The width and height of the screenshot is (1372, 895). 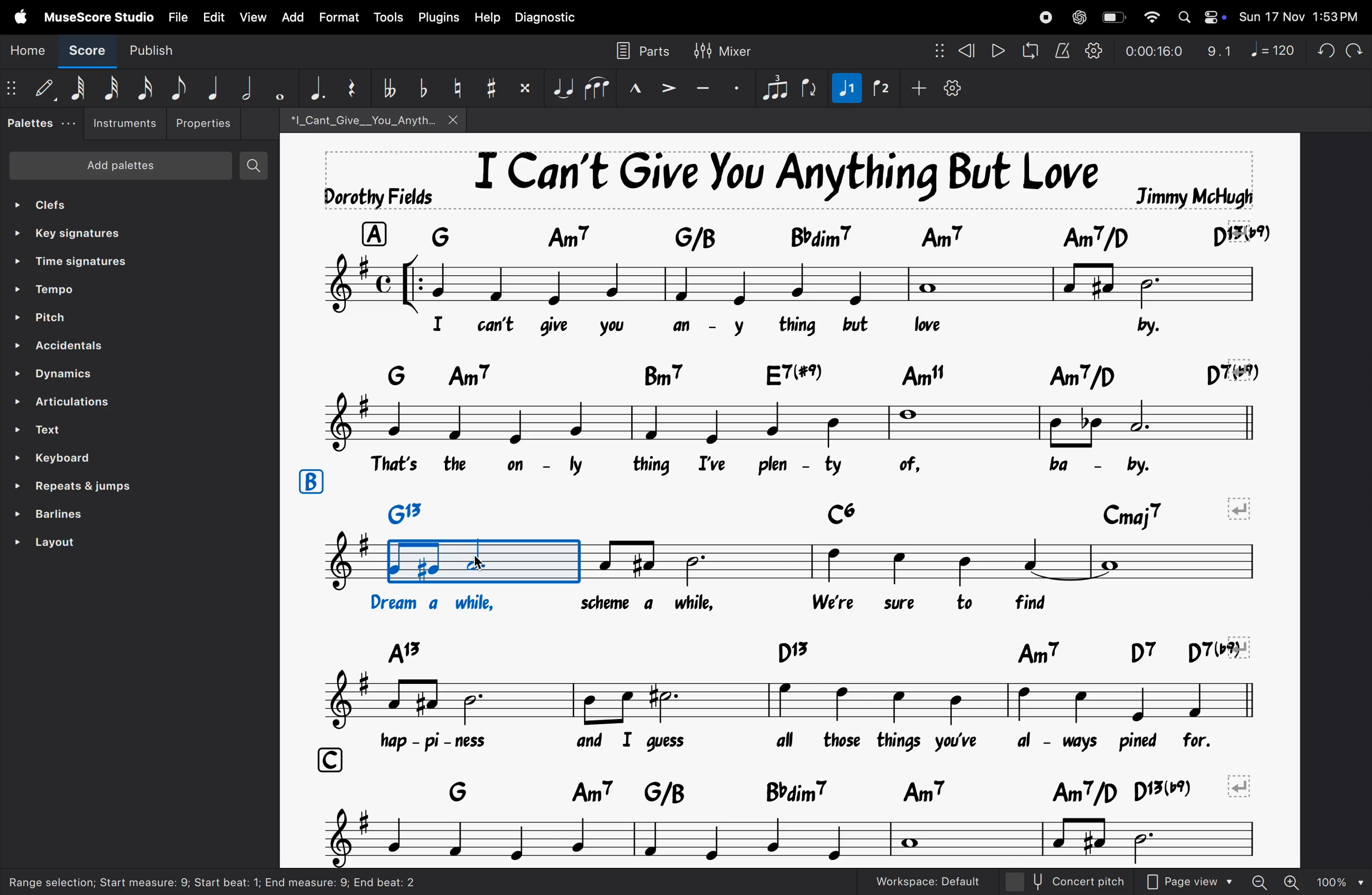 I want to click on Properties, so click(x=205, y=123).